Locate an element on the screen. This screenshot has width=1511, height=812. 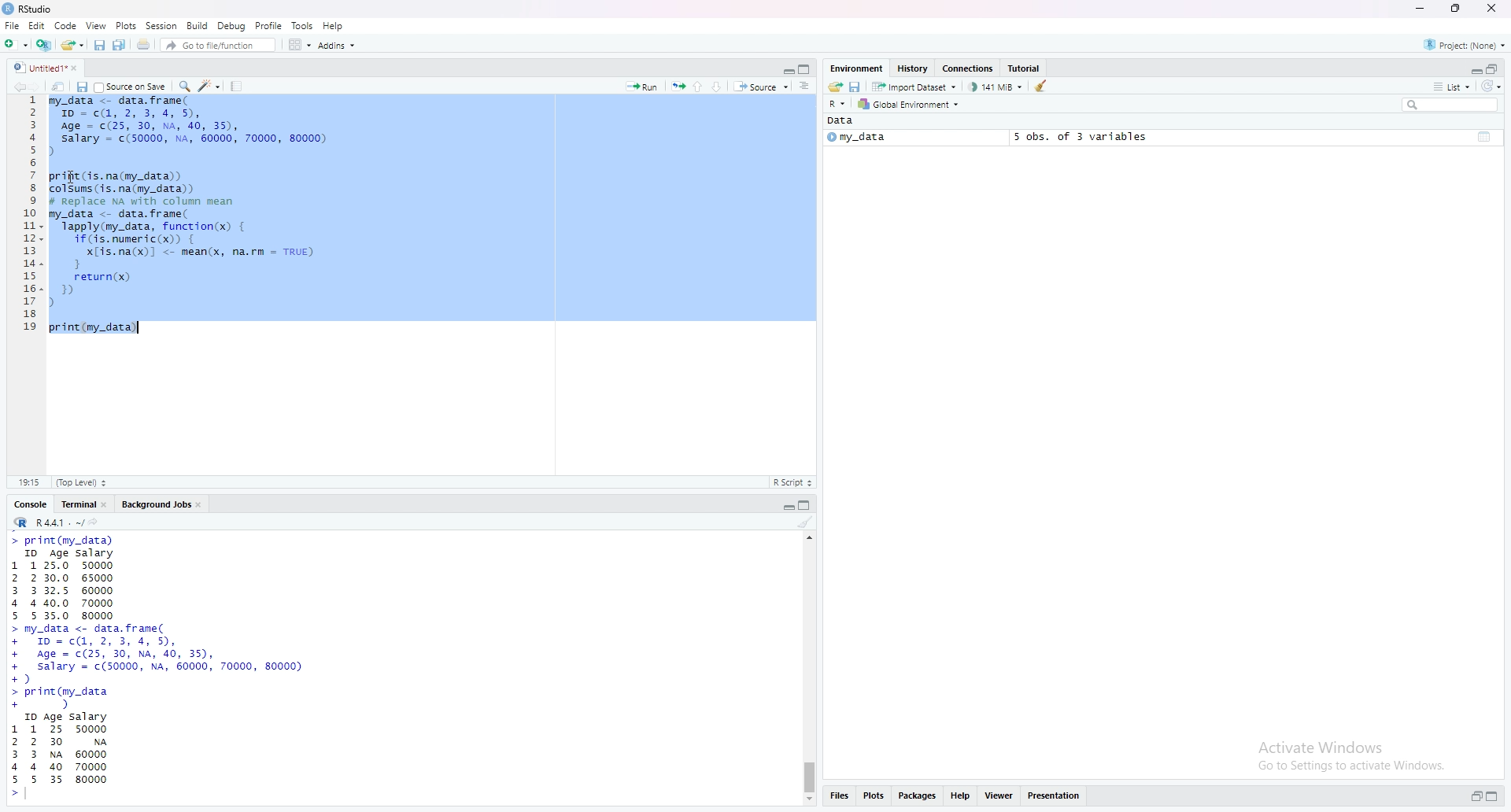
import dataset is located at coordinates (918, 88).